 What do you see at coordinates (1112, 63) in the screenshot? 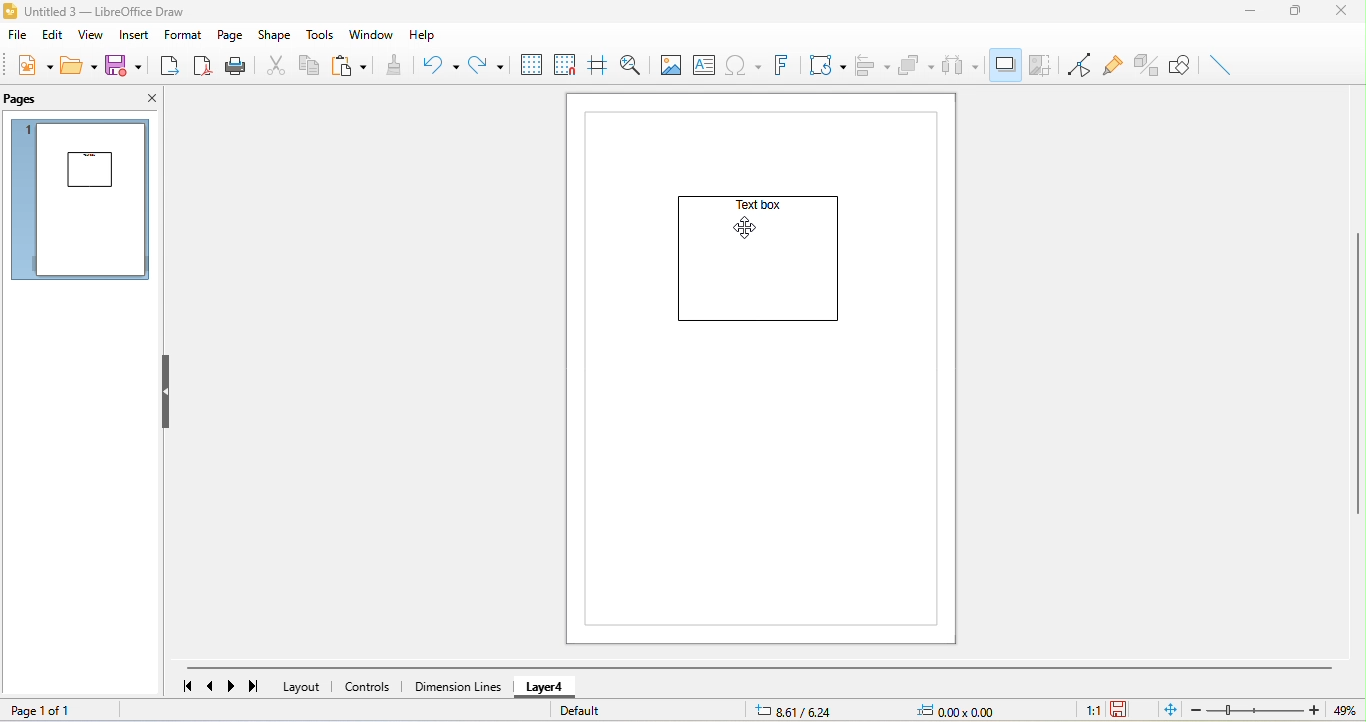
I see `glue point function` at bounding box center [1112, 63].